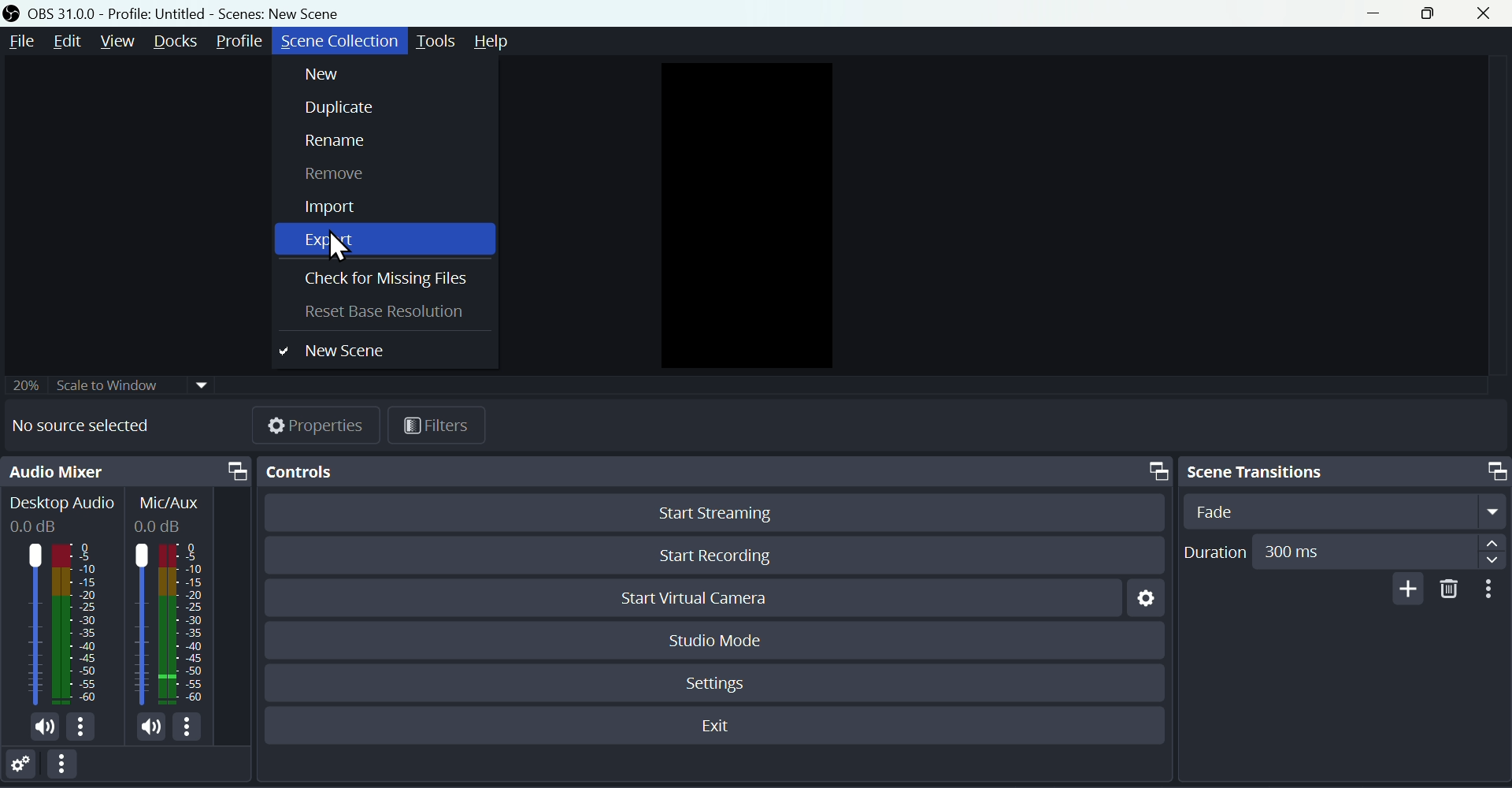 The height and width of the screenshot is (788, 1512). I want to click on Properties, so click(319, 424).